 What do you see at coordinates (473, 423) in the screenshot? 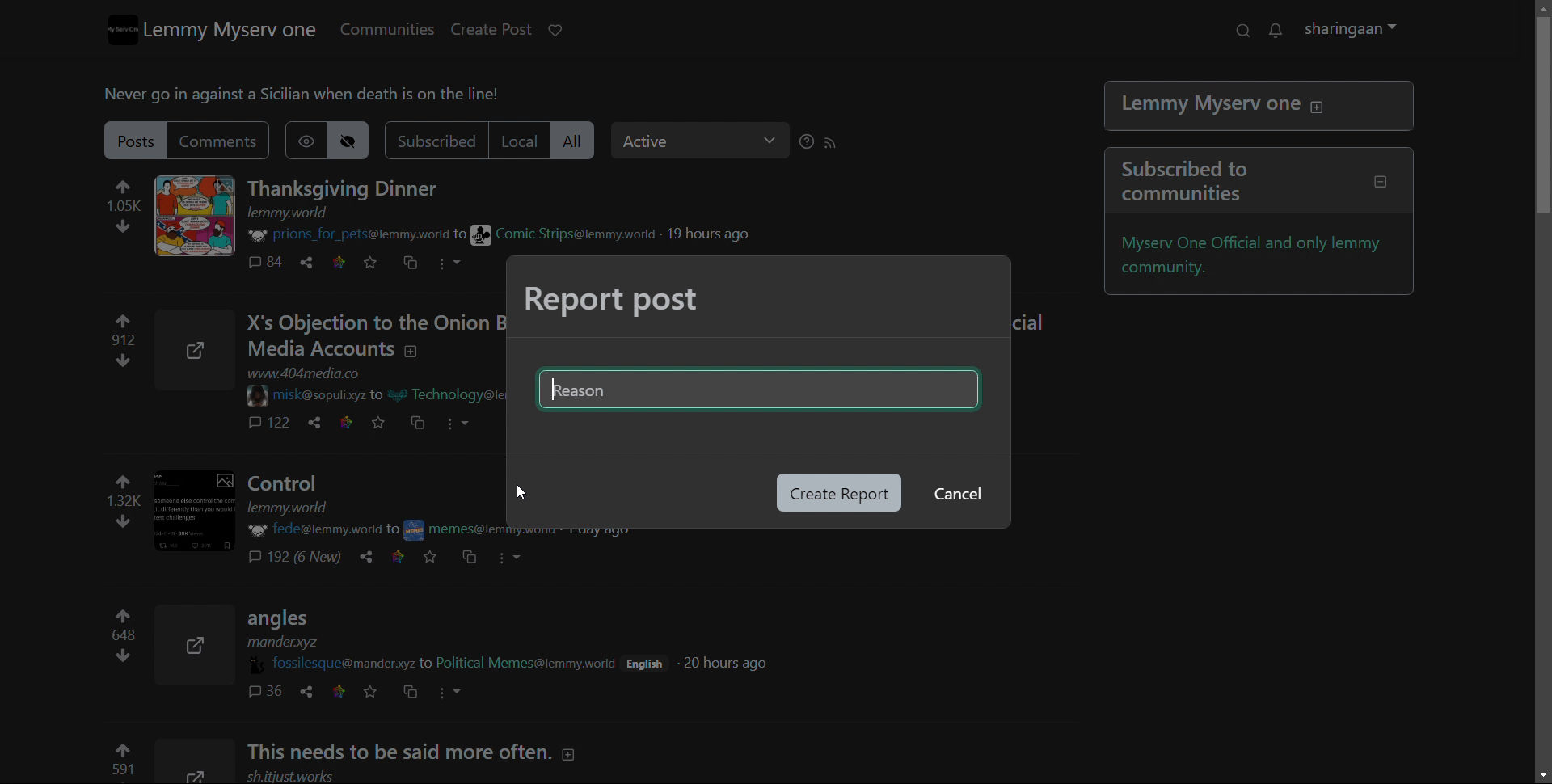
I see `More` at bounding box center [473, 423].